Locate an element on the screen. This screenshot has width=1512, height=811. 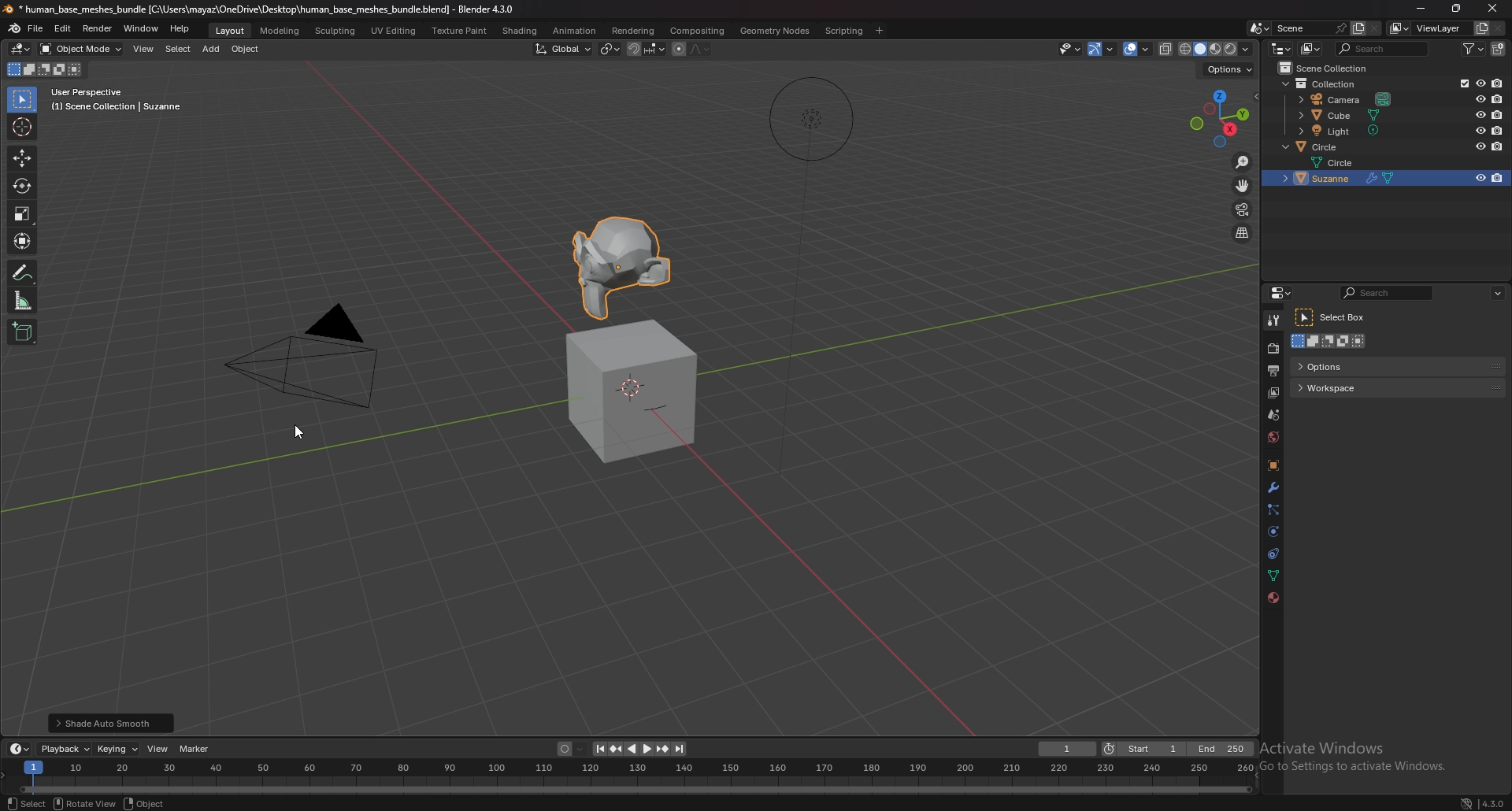
current frame is located at coordinates (1069, 748).